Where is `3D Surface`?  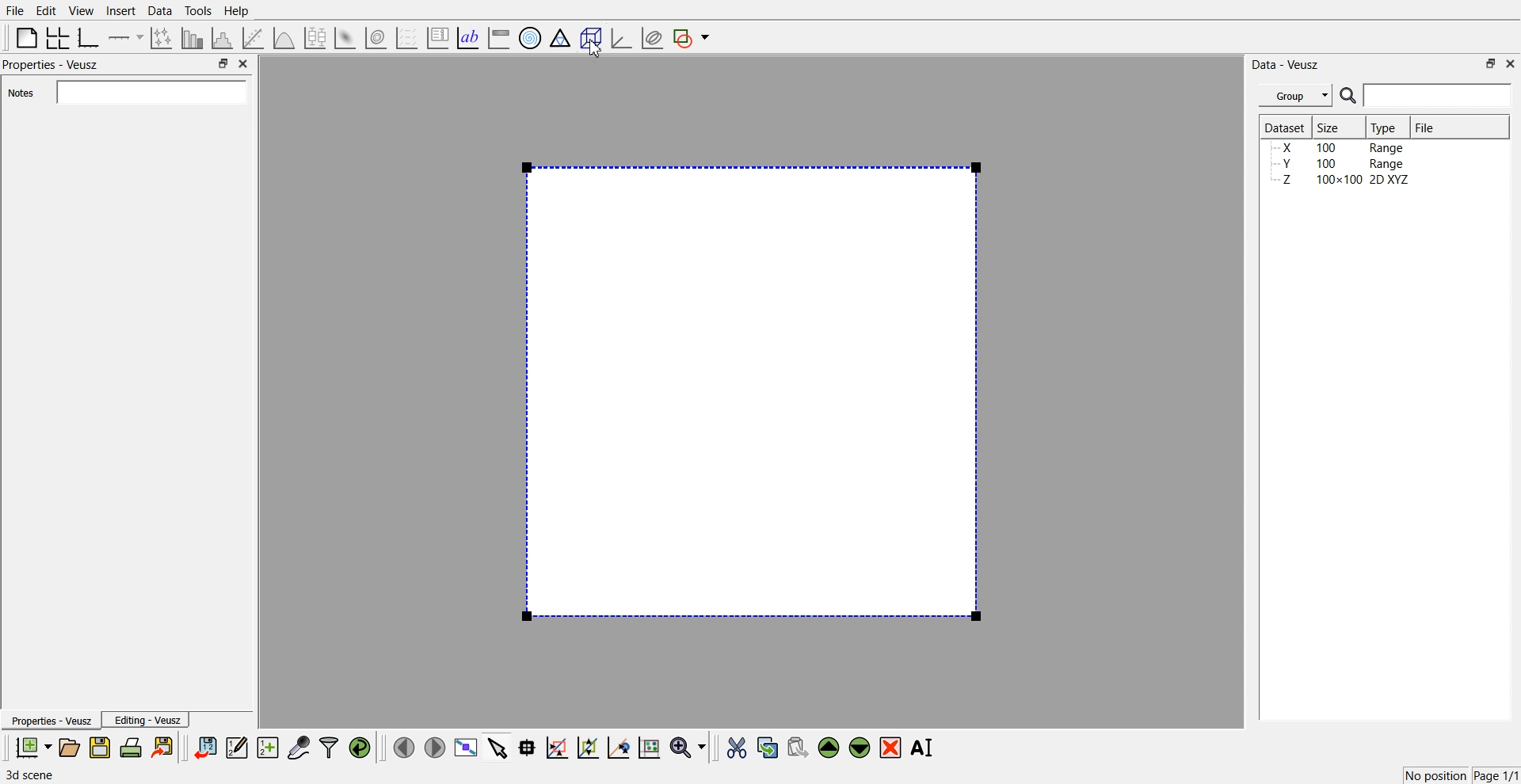 3D Surface is located at coordinates (345, 38).